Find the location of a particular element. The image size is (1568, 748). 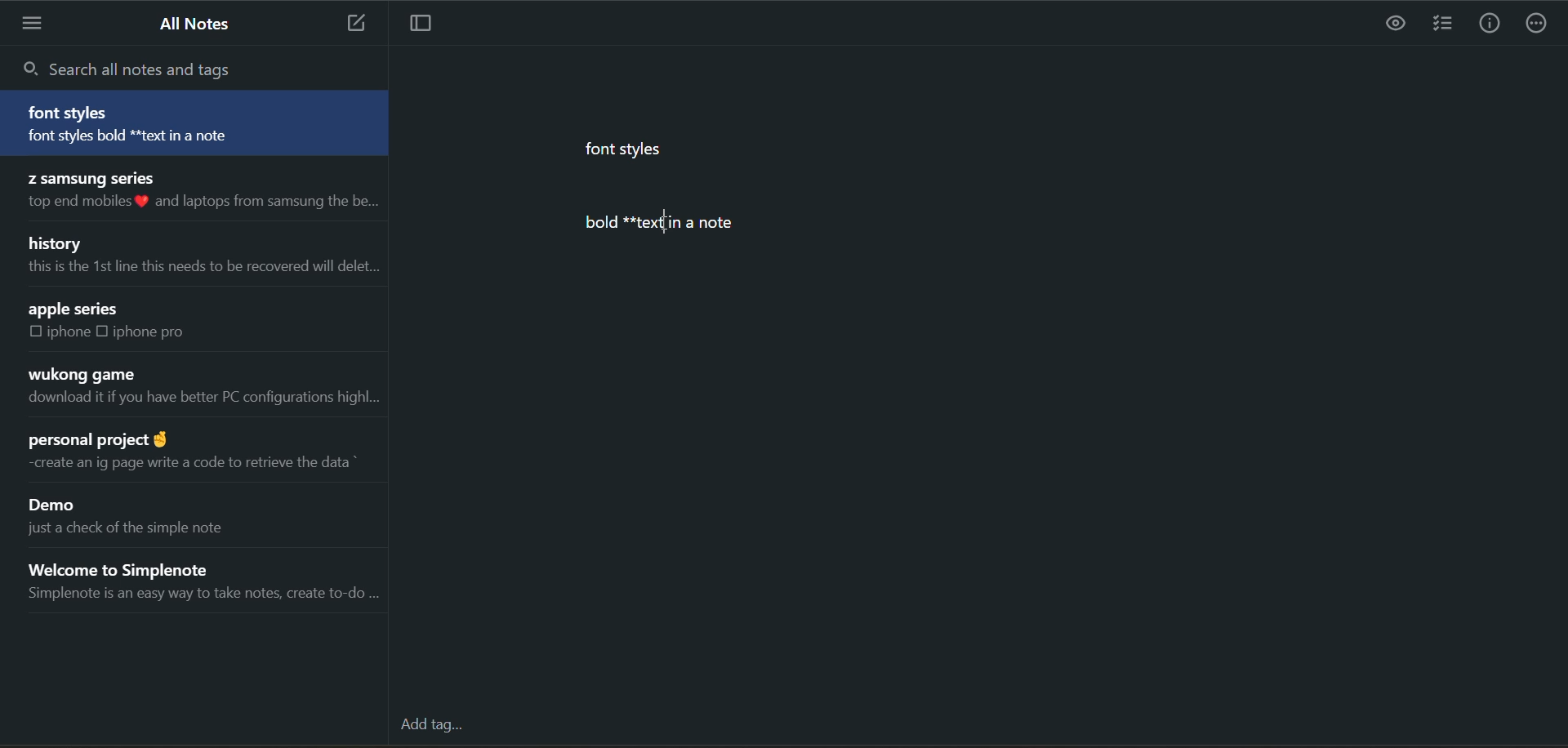

bold *textlin a note is located at coordinates (662, 221).